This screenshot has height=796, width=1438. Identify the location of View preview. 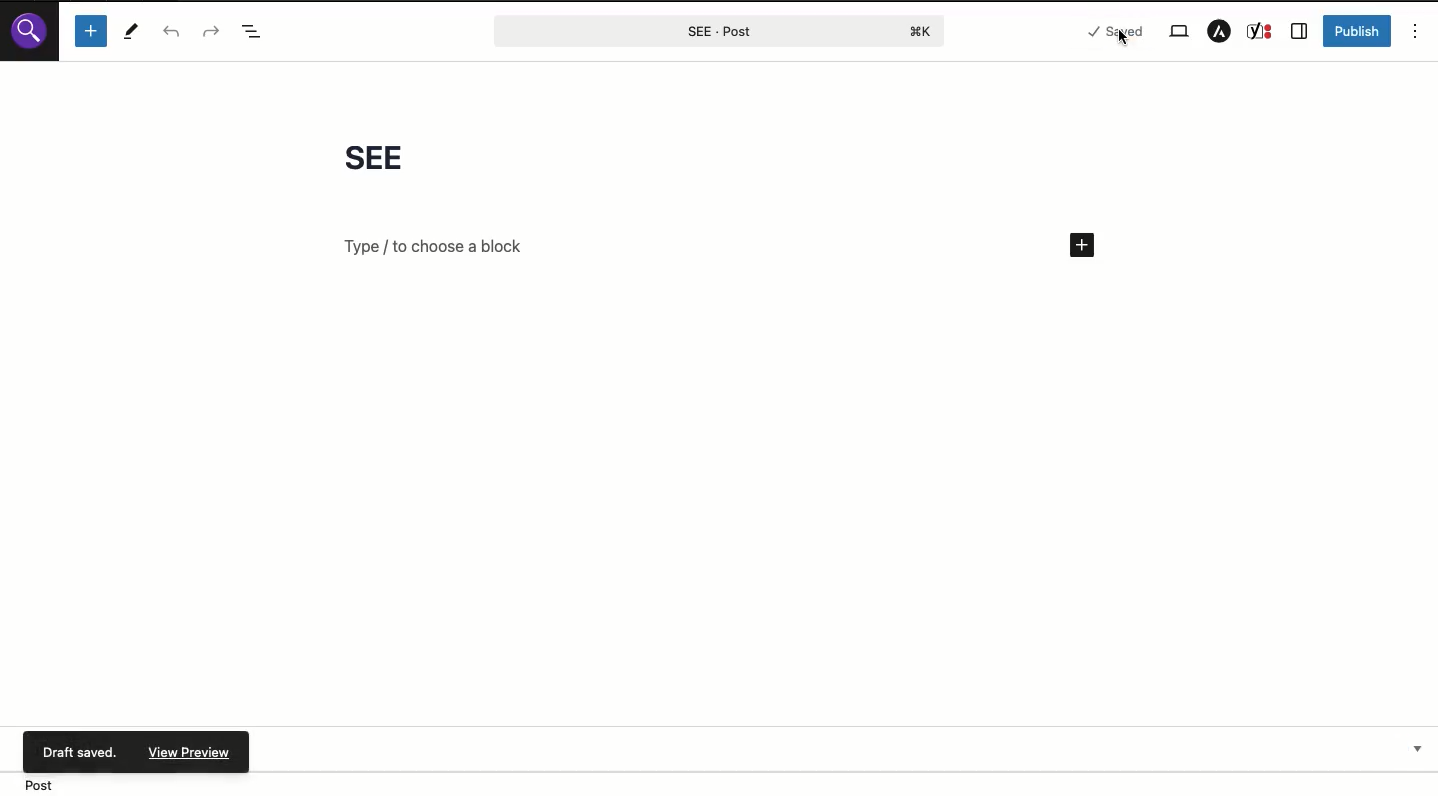
(187, 752).